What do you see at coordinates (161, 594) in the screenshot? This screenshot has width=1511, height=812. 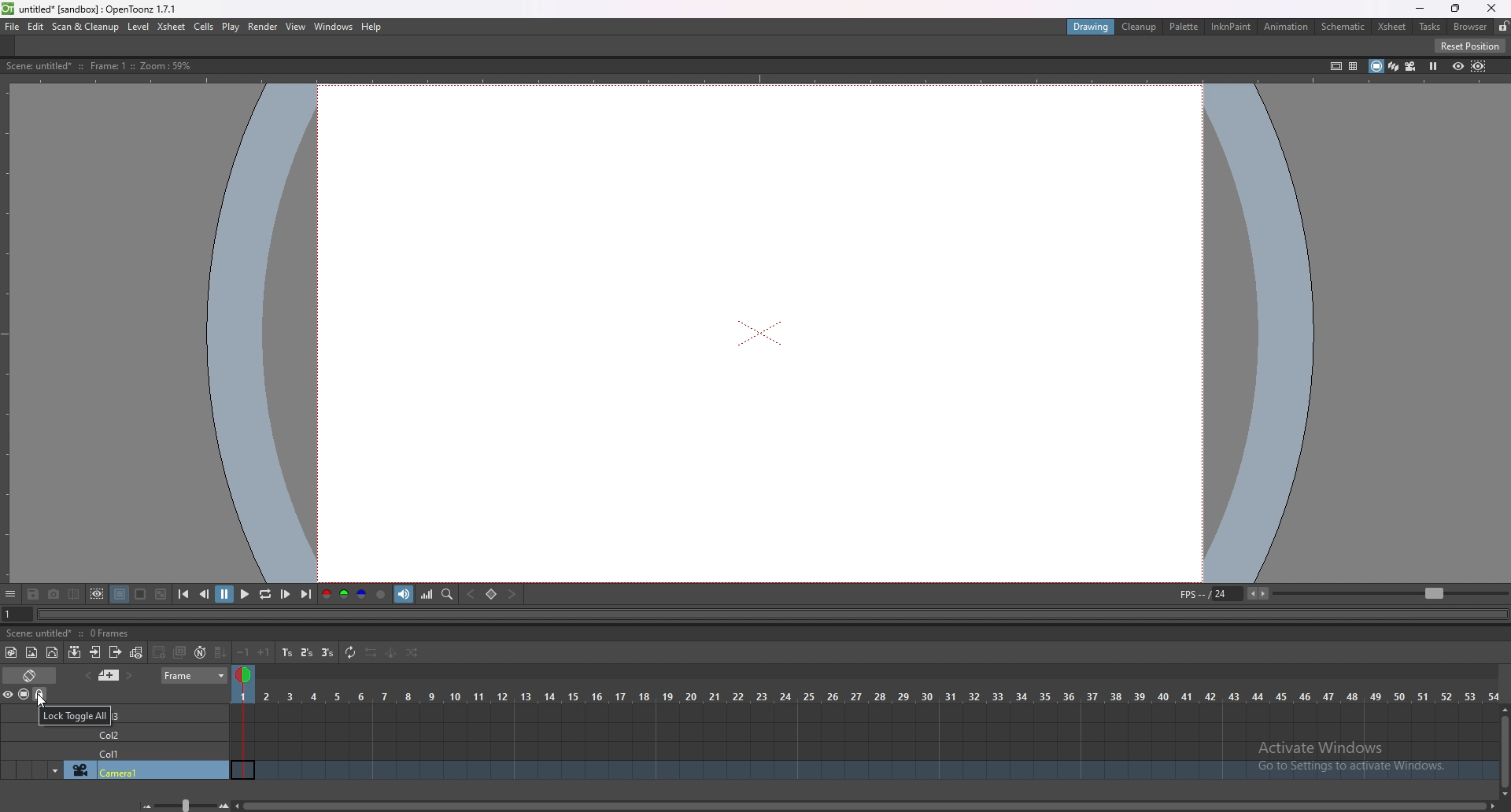 I see `checkered background` at bounding box center [161, 594].